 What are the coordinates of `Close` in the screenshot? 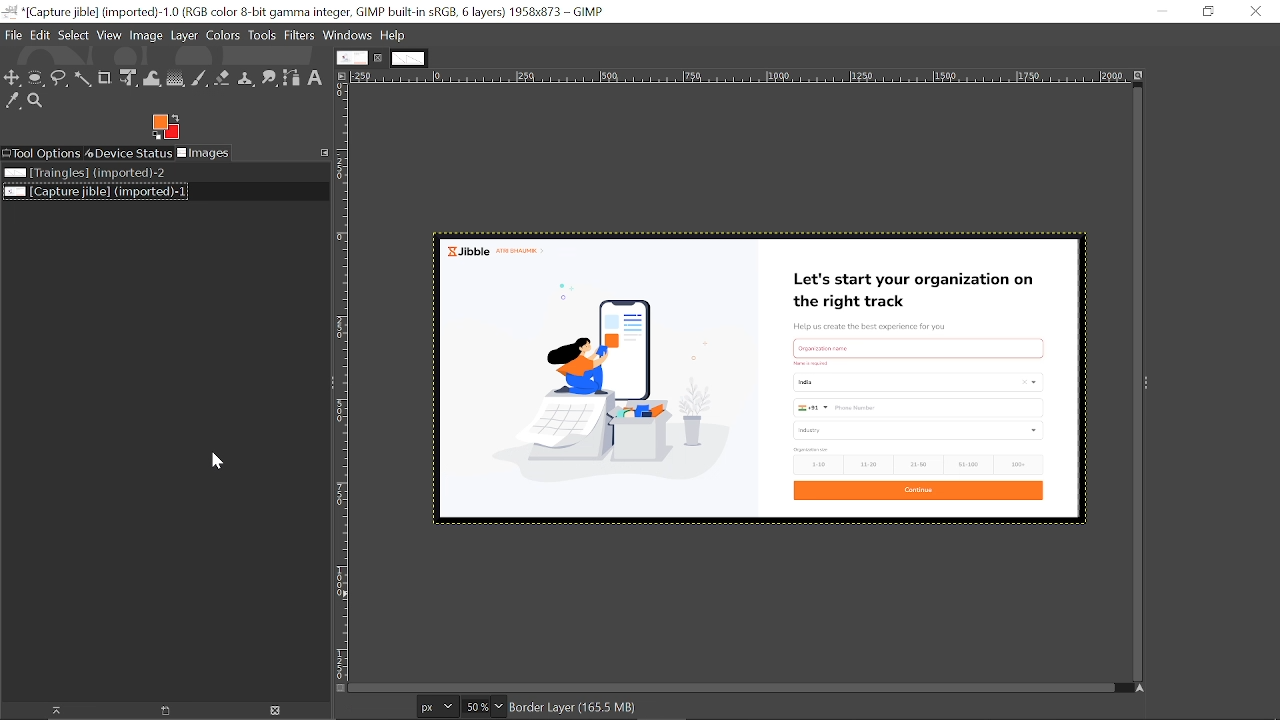 It's located at (1257, 11).